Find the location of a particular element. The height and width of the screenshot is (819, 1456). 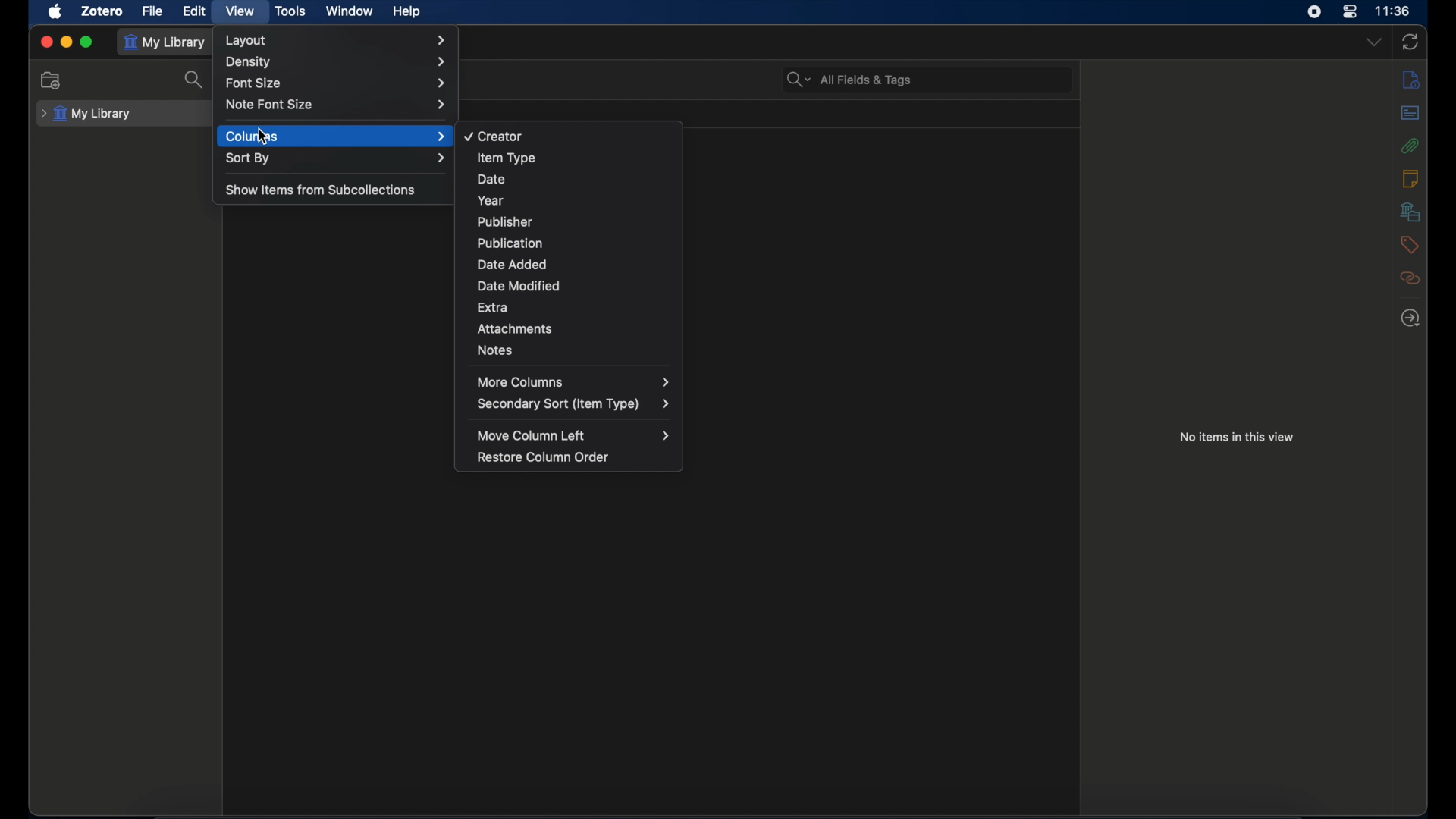

tags is located at coordinates (1409, 245).